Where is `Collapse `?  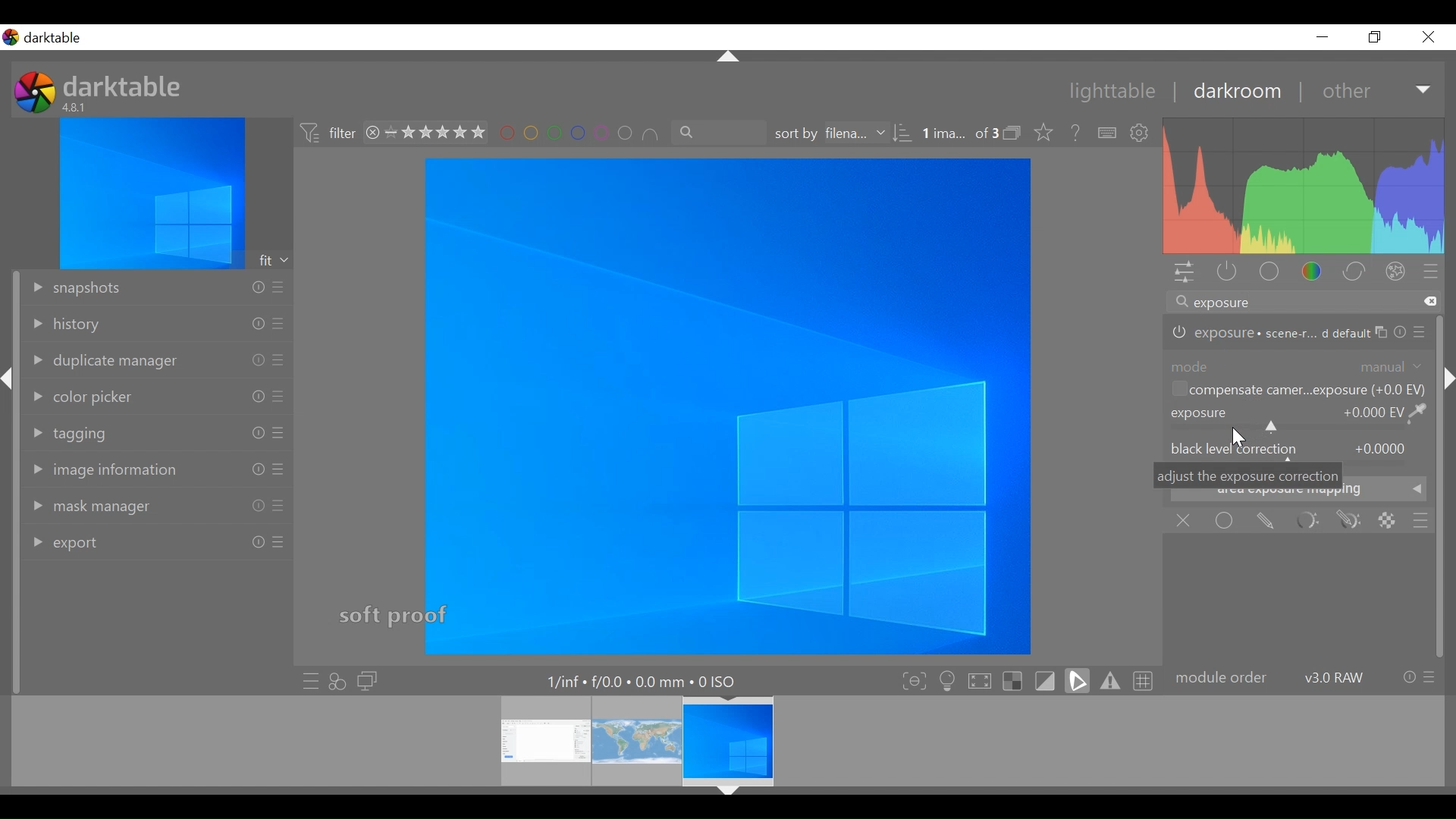 Collapse  is located at coordinates (728, 792).